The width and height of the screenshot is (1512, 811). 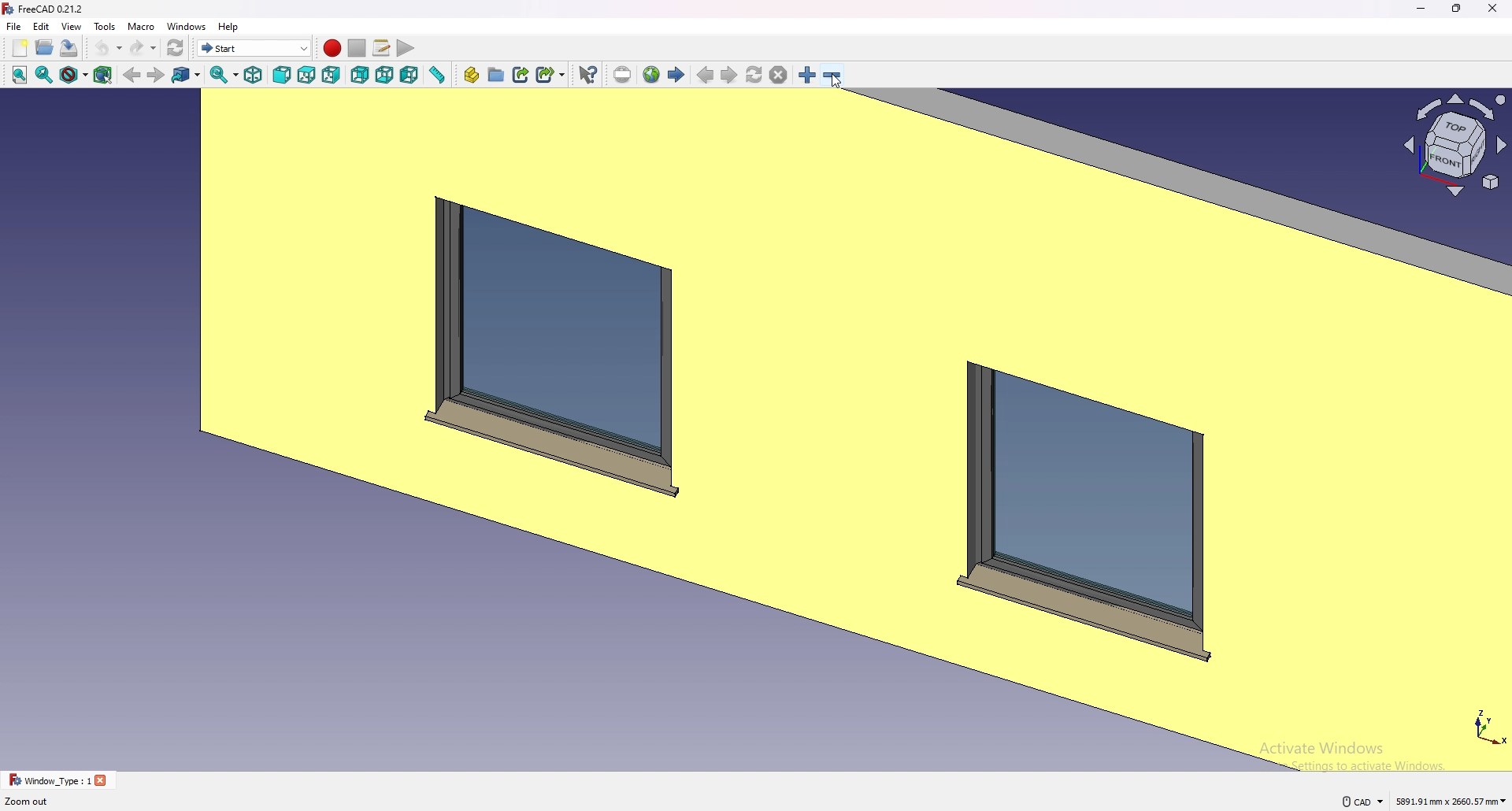 What do you see at coordinates (1487, 724) in the screenshot?
I see `axis` at bounding box center [1487, 724].